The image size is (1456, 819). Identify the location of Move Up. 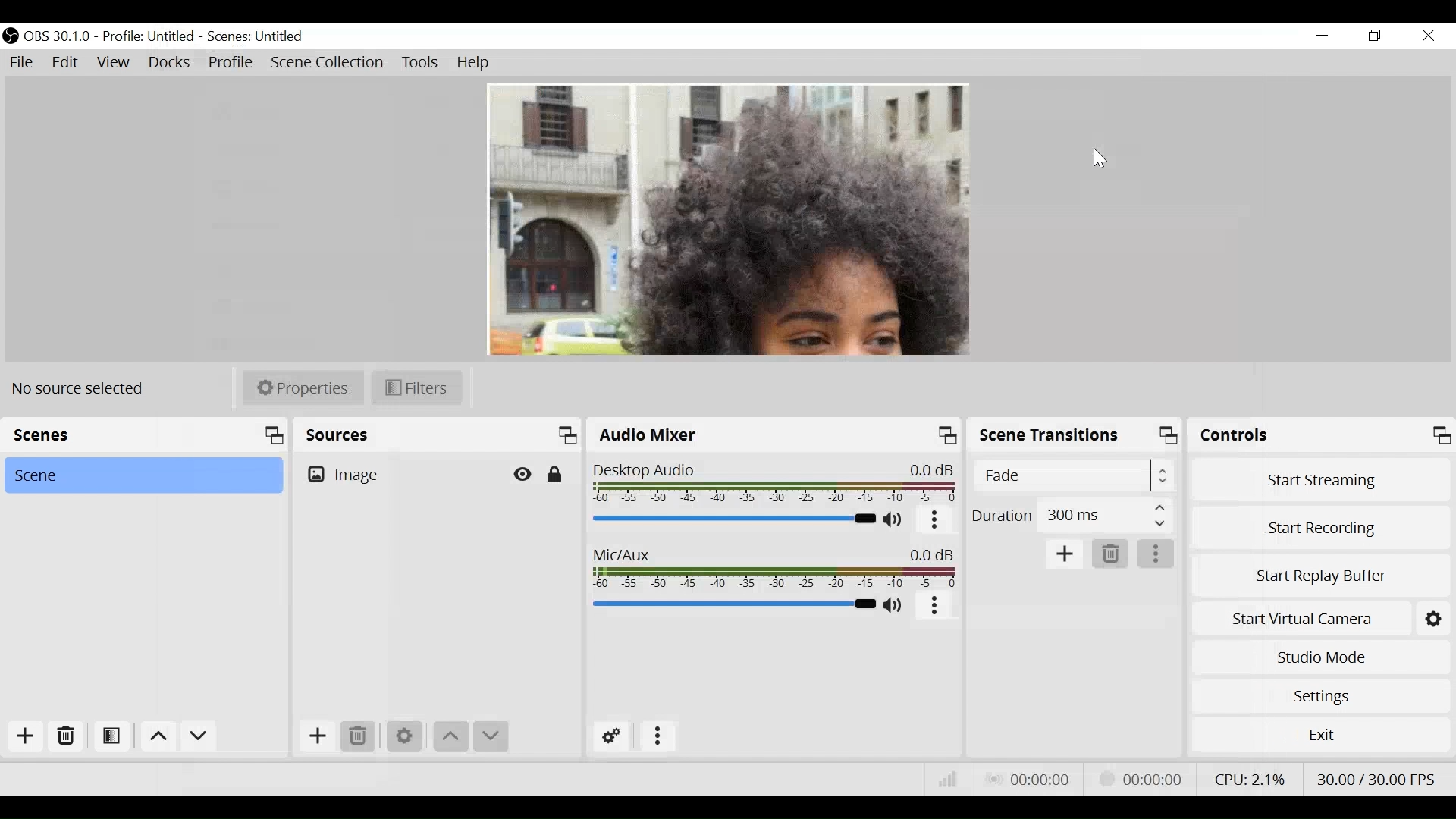
(449, 736).